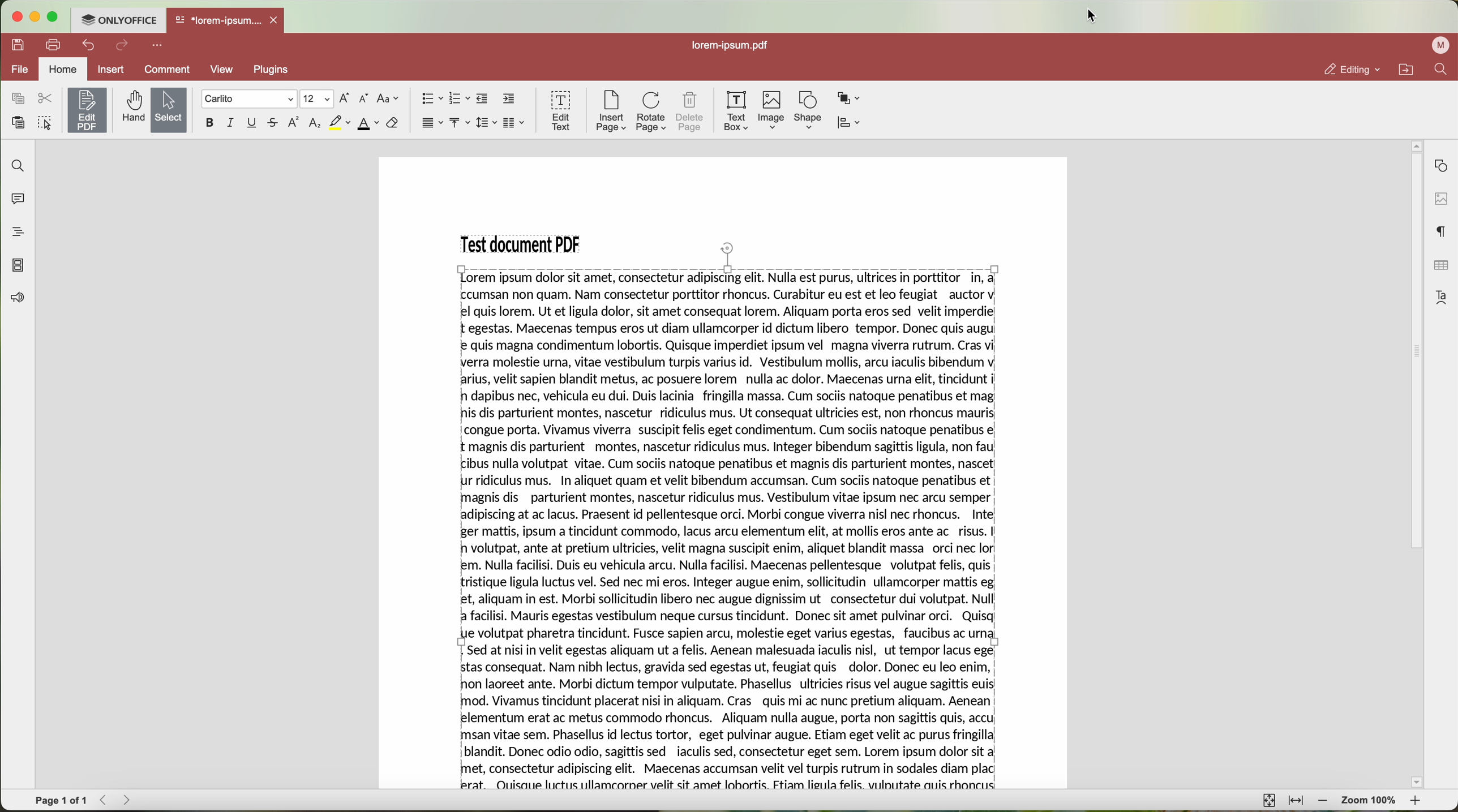 The width and height of the screenshot is (1458, 812). Describe the element at coordinates (230, 123) in the screenshot. I see `italic` at that location.